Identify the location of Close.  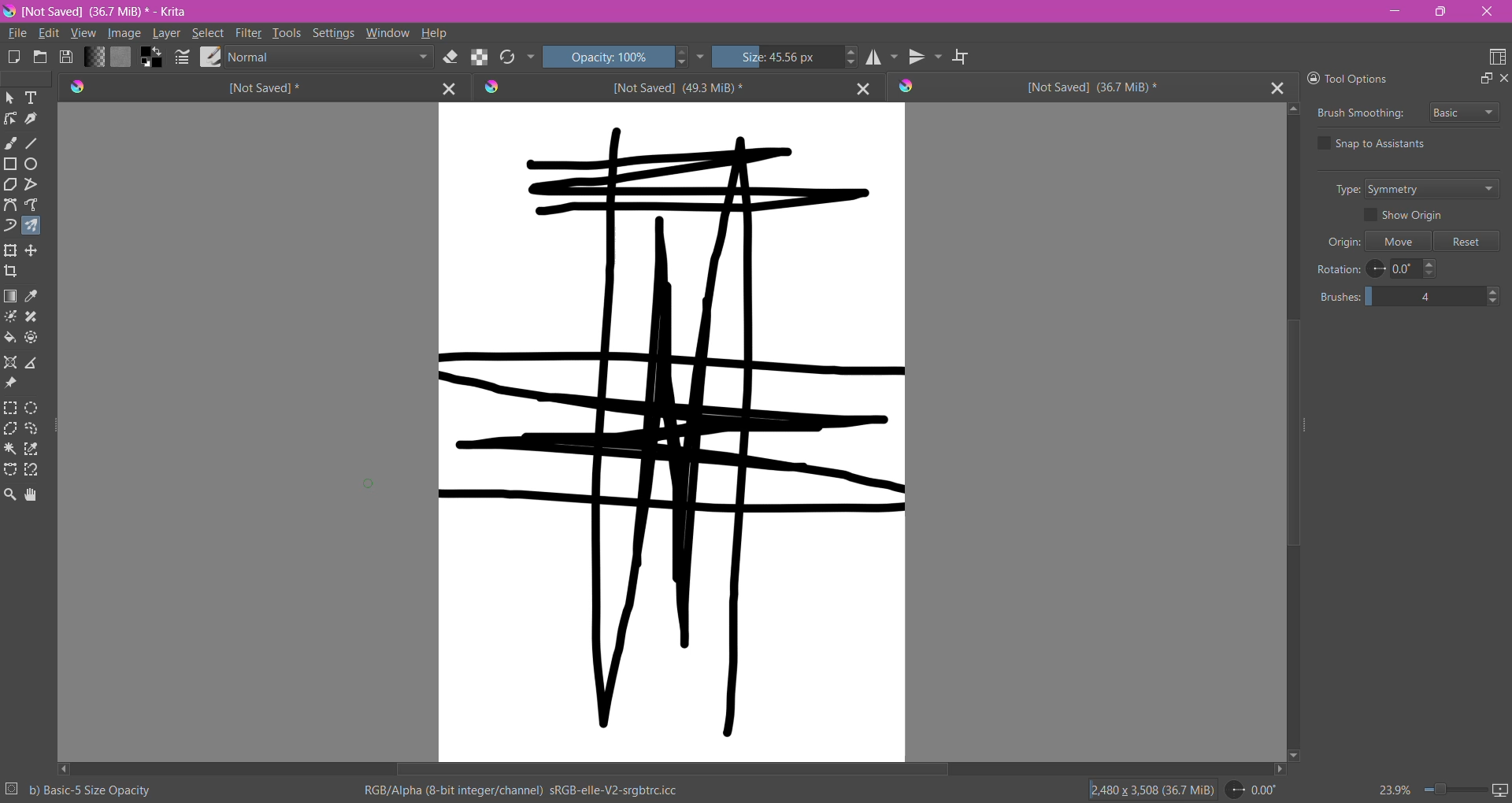
(1486, 13).